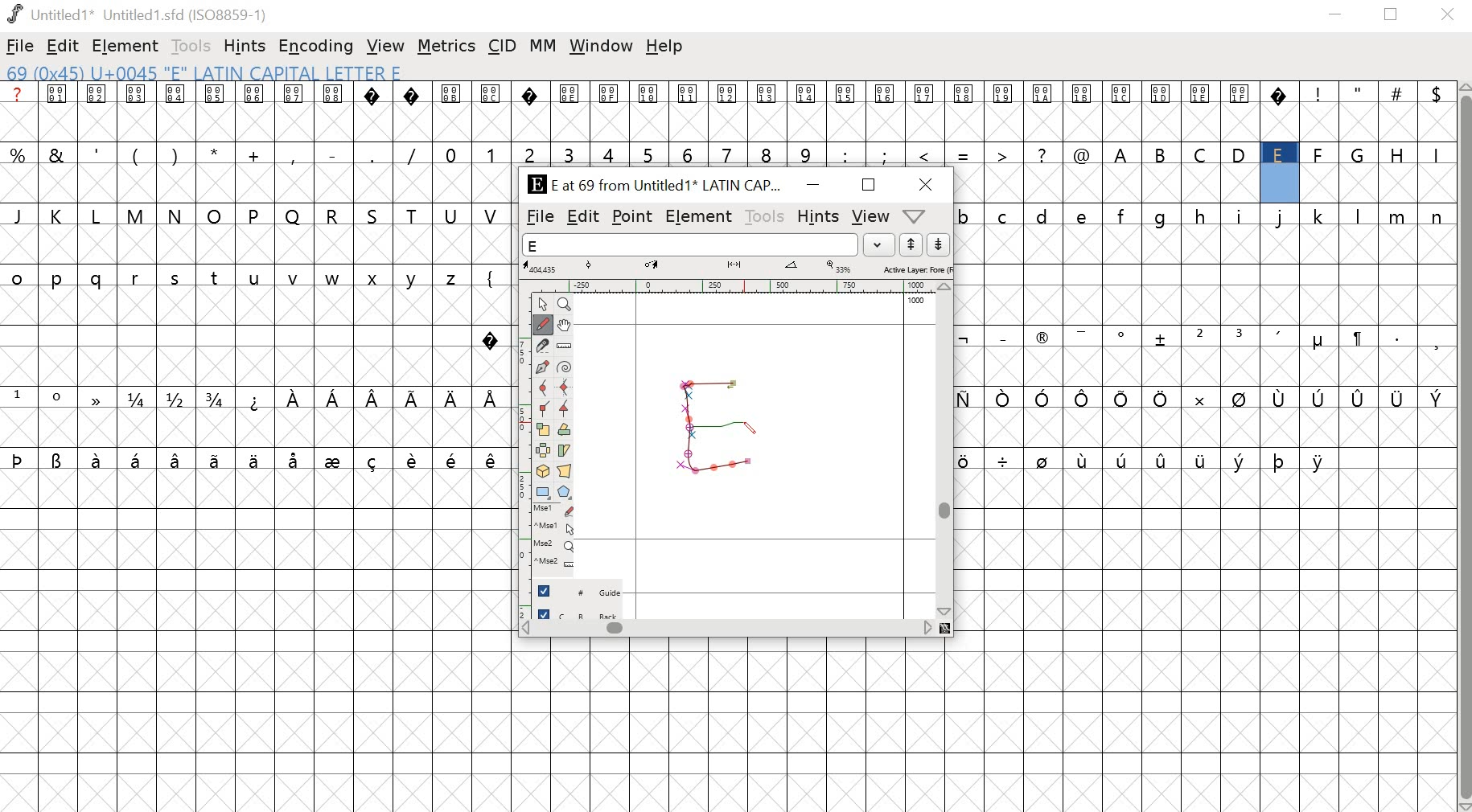 This screenshot has height=812, width=1472. Describe the element at coordinates (812, 187) in the screenshot. I see `minimize` at that location.